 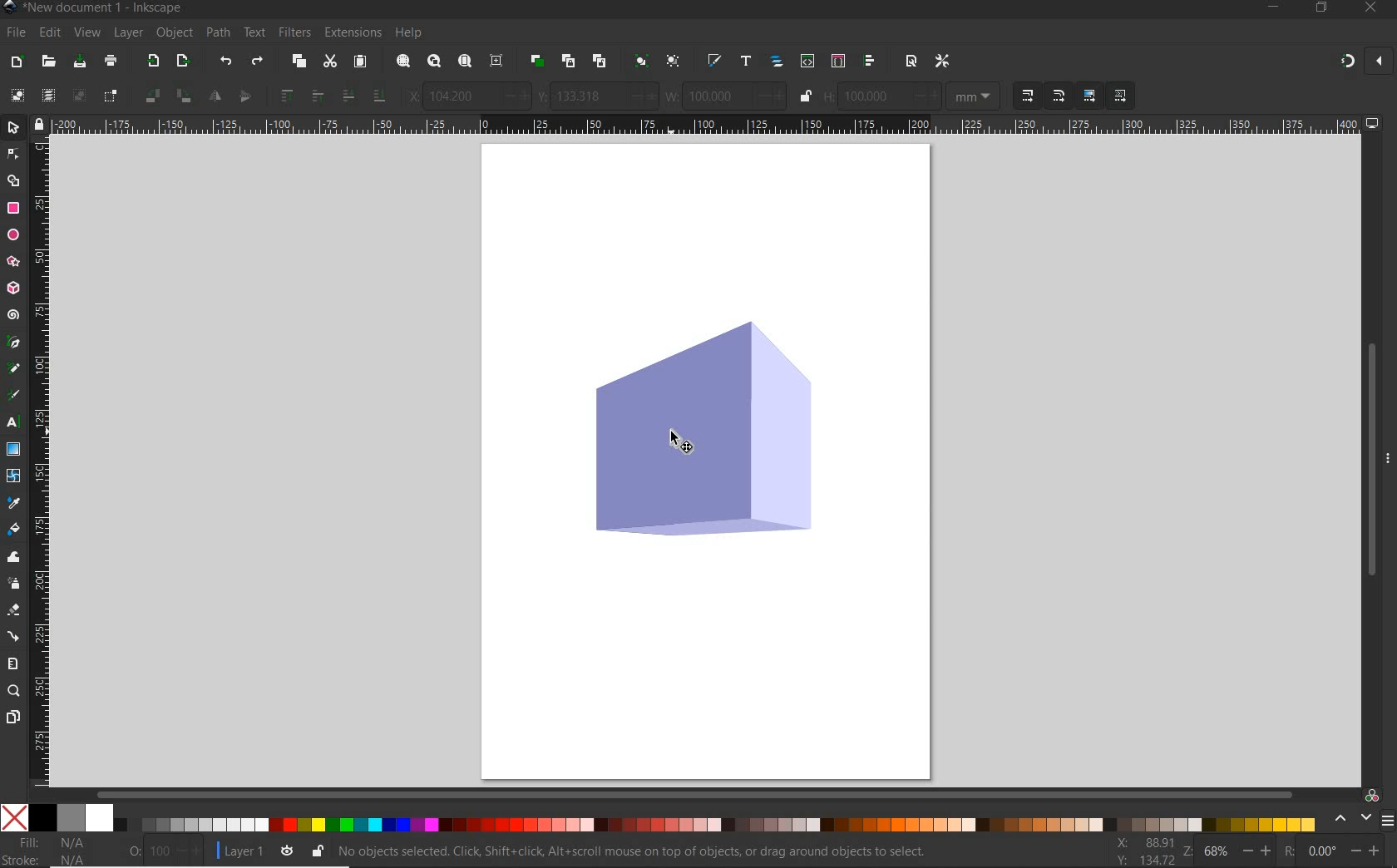 What do you see at coordinates (14, 634) in the screenshot?
I see `CONNECTOR TOOL` at bounding box center [14, 634].